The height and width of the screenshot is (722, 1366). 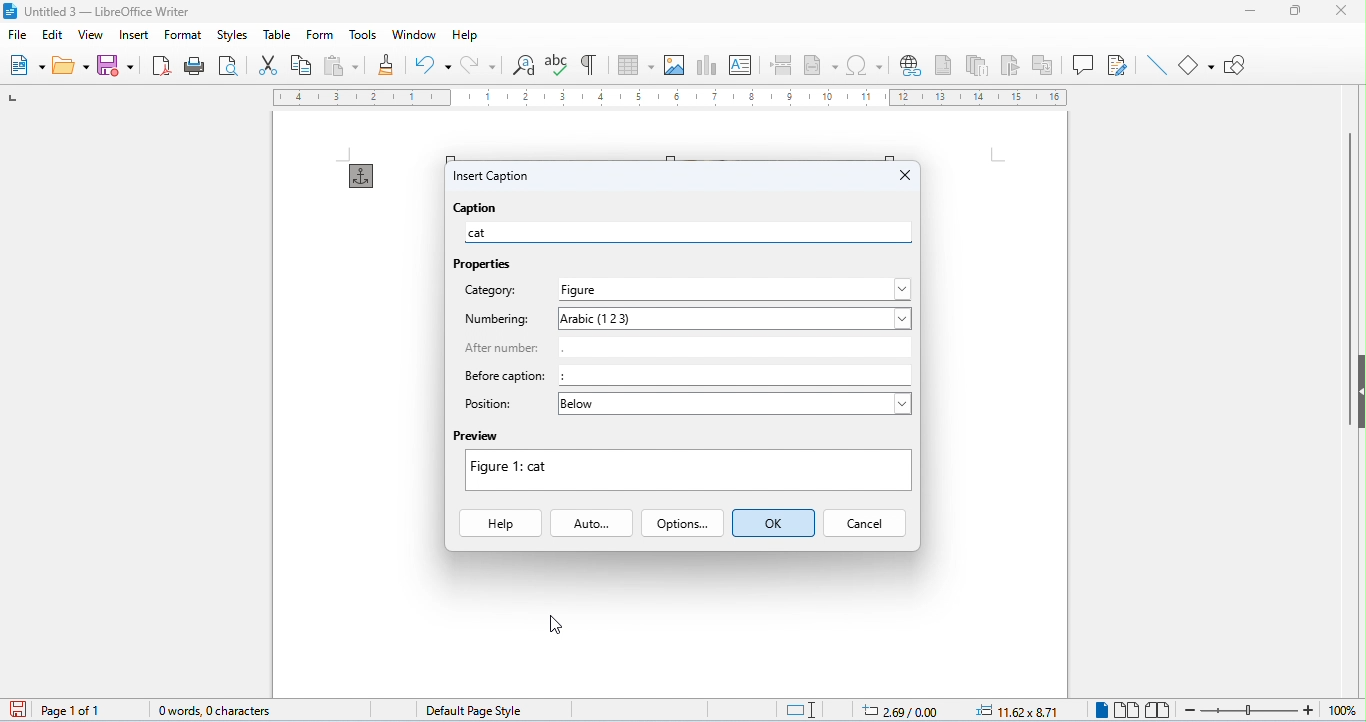 What do you see at coordinates (1013, 65) in the screenshot?
I see `insert bookmark` at bounding box center [1013, 65].